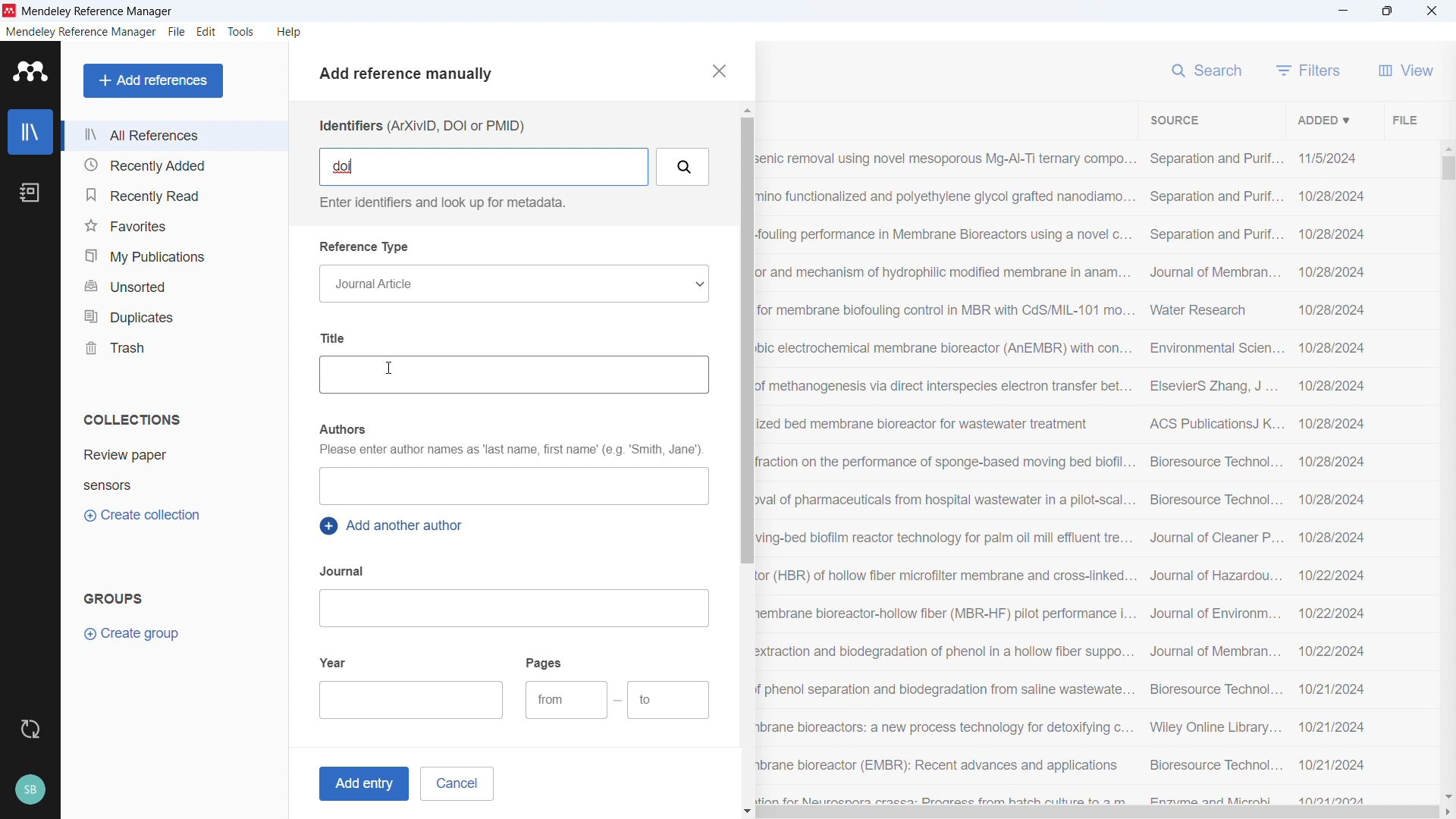 Image resolution: width=1456 pixels, height=819 pixels. What do you see at coordinates (30, 132) in the screenshot?
I see `Library ` at bounding box center [30, 132].